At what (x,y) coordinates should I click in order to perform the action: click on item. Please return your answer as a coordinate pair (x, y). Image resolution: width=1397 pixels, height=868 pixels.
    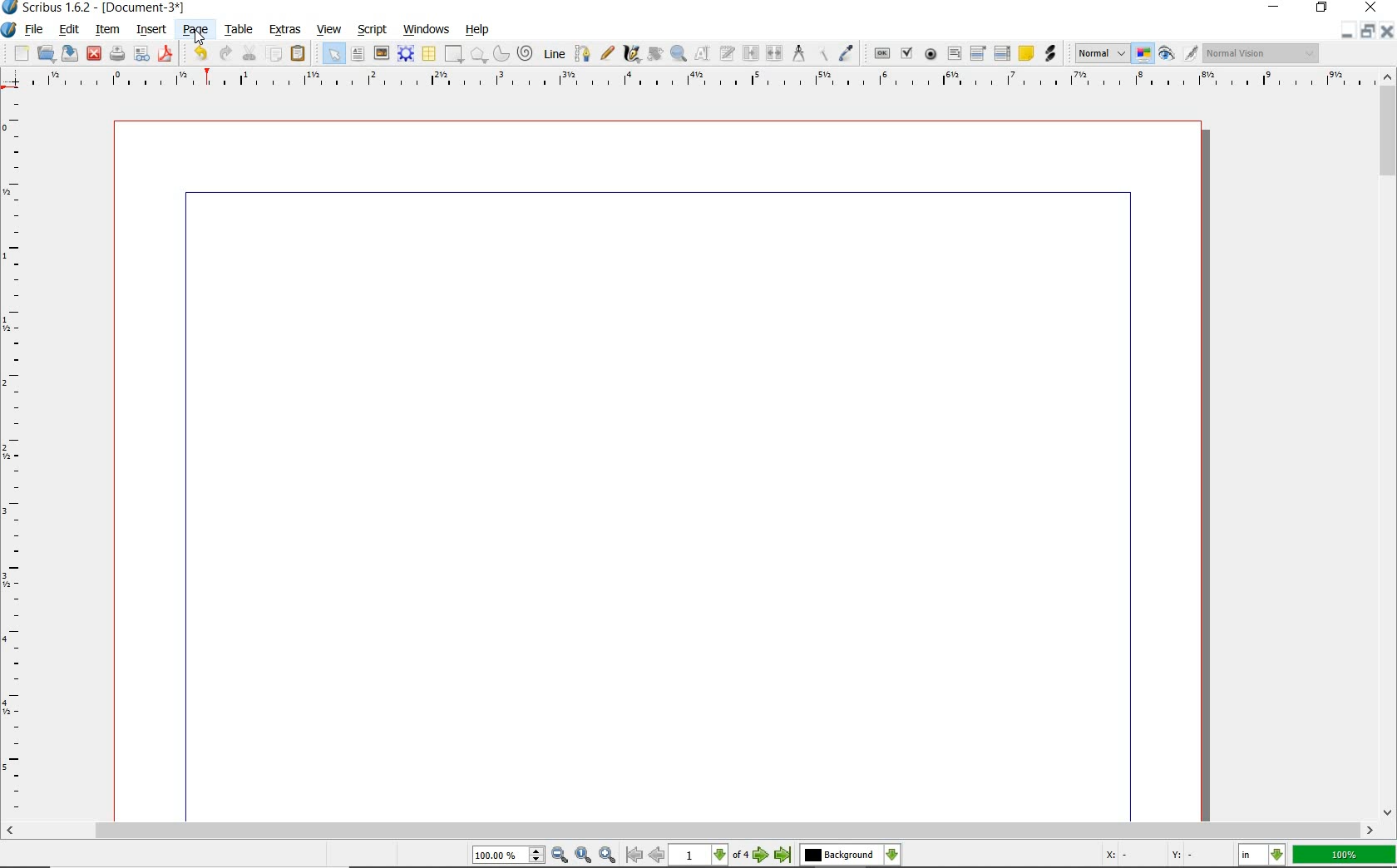
    Looking at the image, I should click on (106, 30).